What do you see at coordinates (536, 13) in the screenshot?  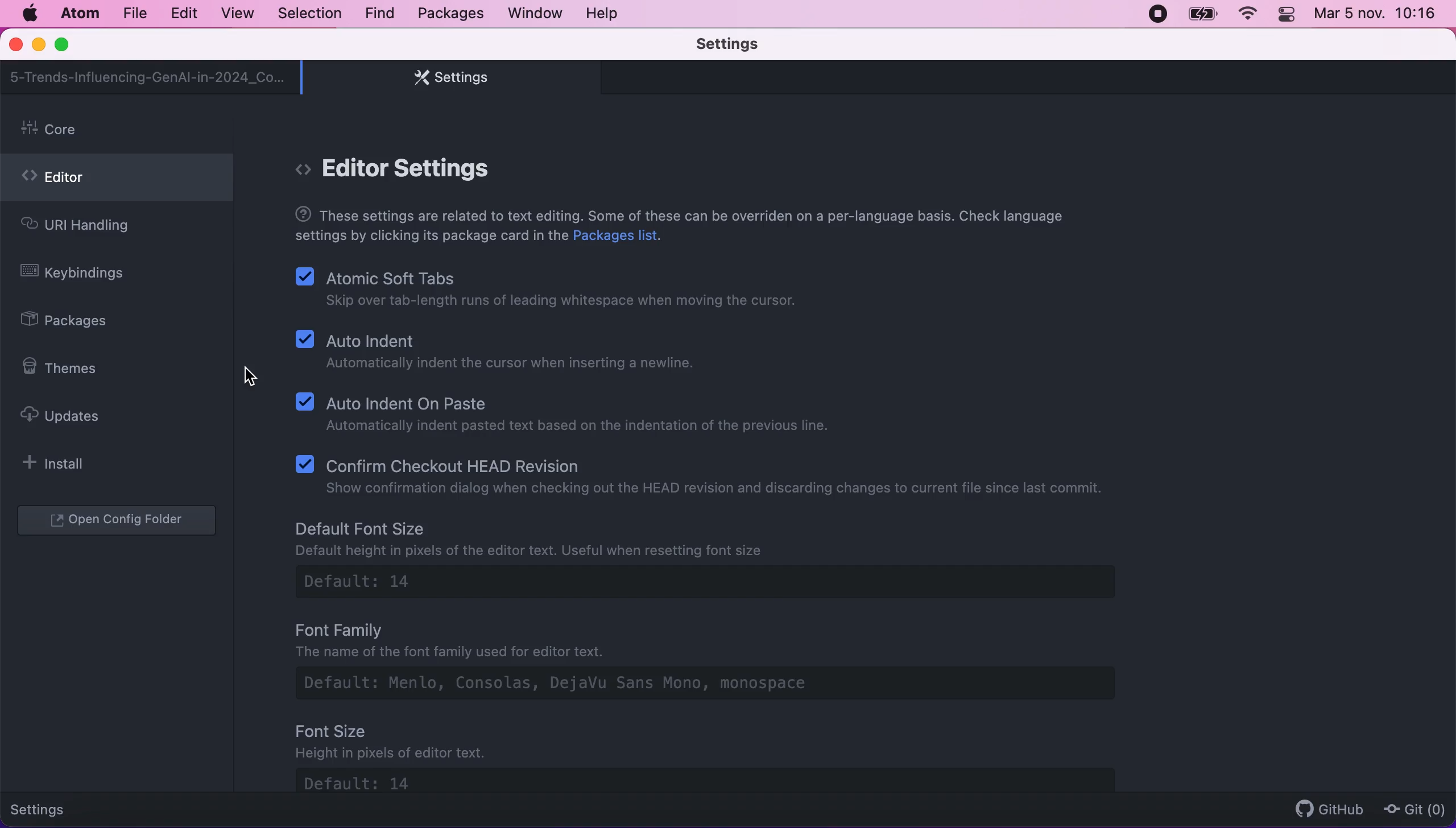 I see `window` at bounding box center [536, 13].